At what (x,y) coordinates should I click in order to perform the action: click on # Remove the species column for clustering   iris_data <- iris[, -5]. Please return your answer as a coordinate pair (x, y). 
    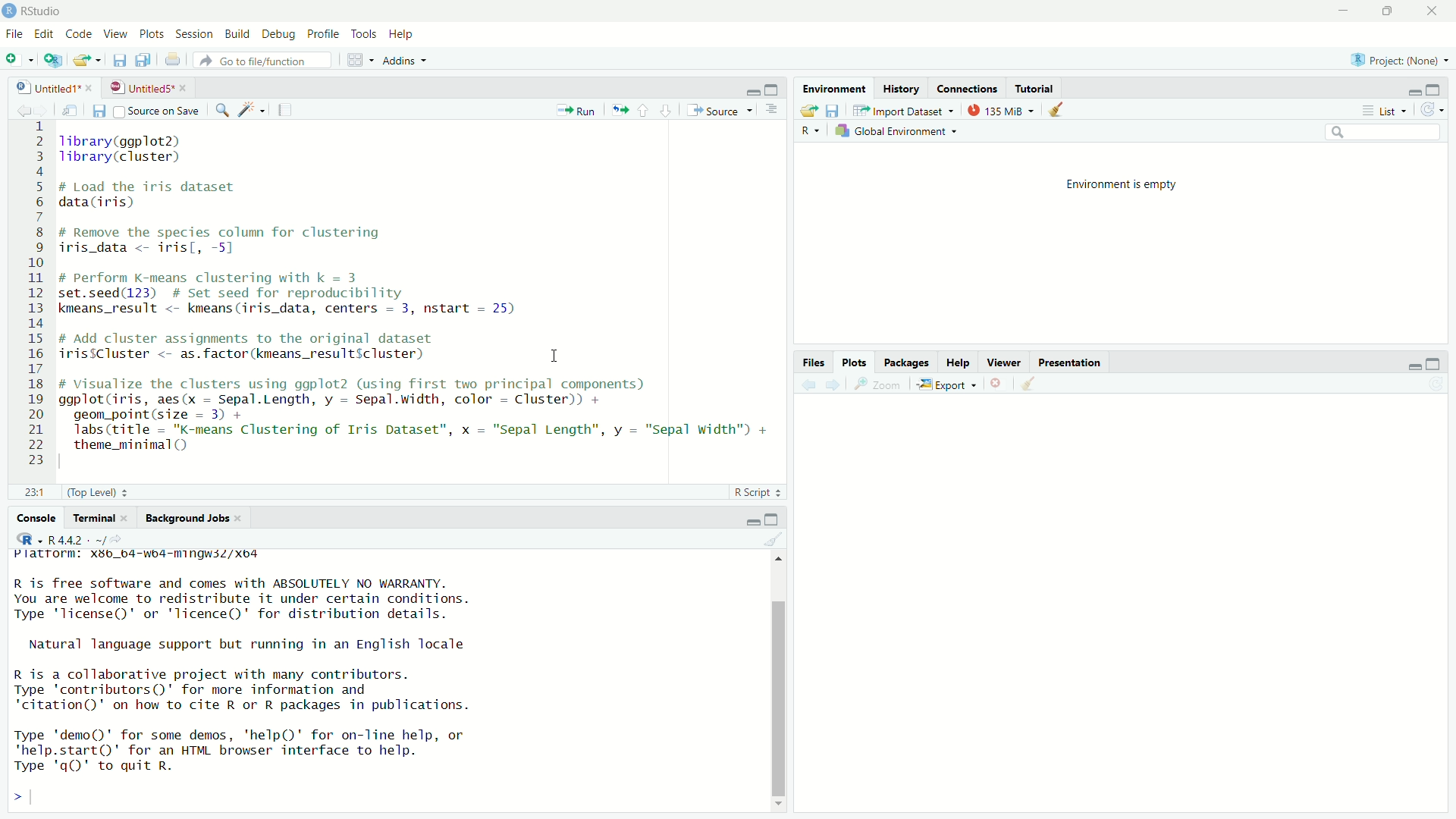
    Looking at the image, I should click on (243, 240).